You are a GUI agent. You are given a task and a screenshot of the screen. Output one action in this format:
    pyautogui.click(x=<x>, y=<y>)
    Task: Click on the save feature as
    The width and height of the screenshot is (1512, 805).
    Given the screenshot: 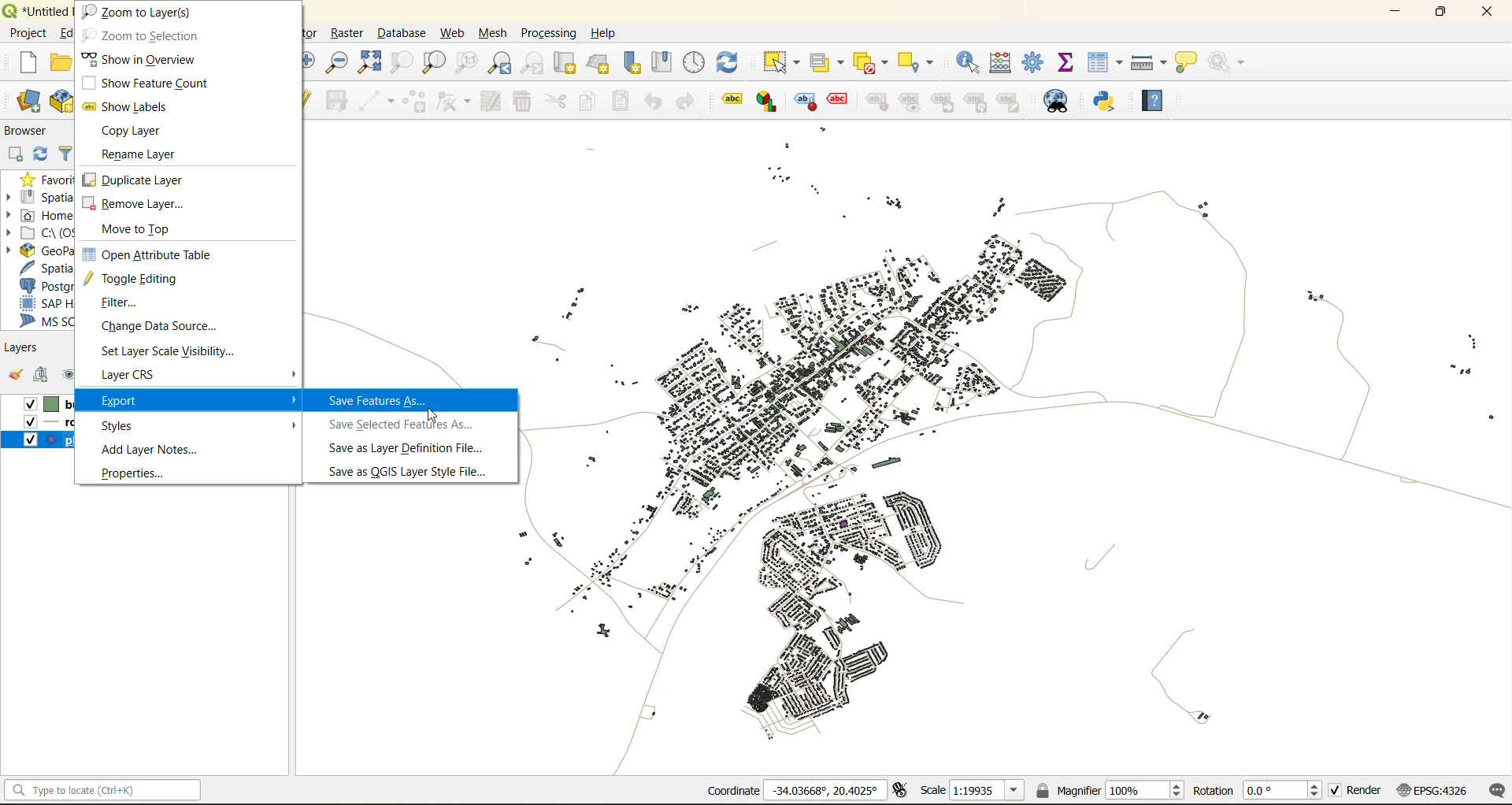 What is the action you would take?
    pyautogui.click(x=380, y=401)
    